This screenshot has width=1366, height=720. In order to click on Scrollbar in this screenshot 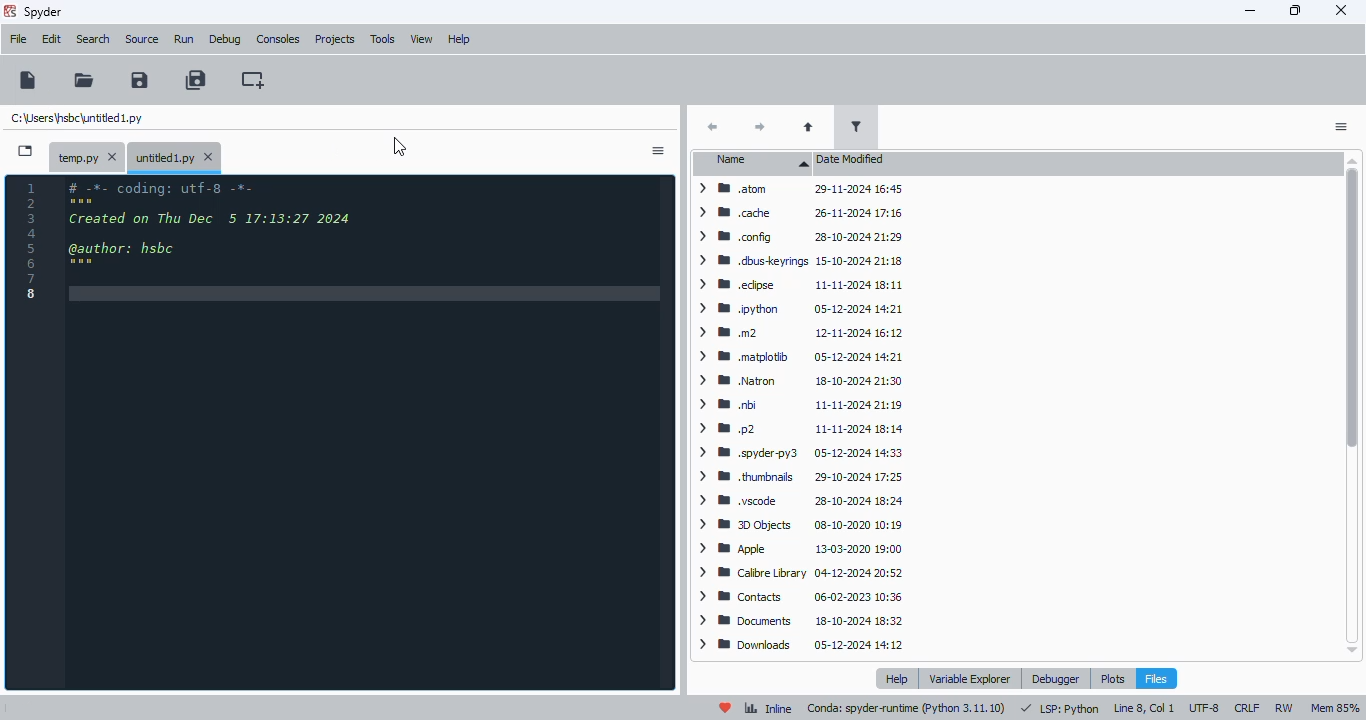, I will do `click(1355, 407)`.